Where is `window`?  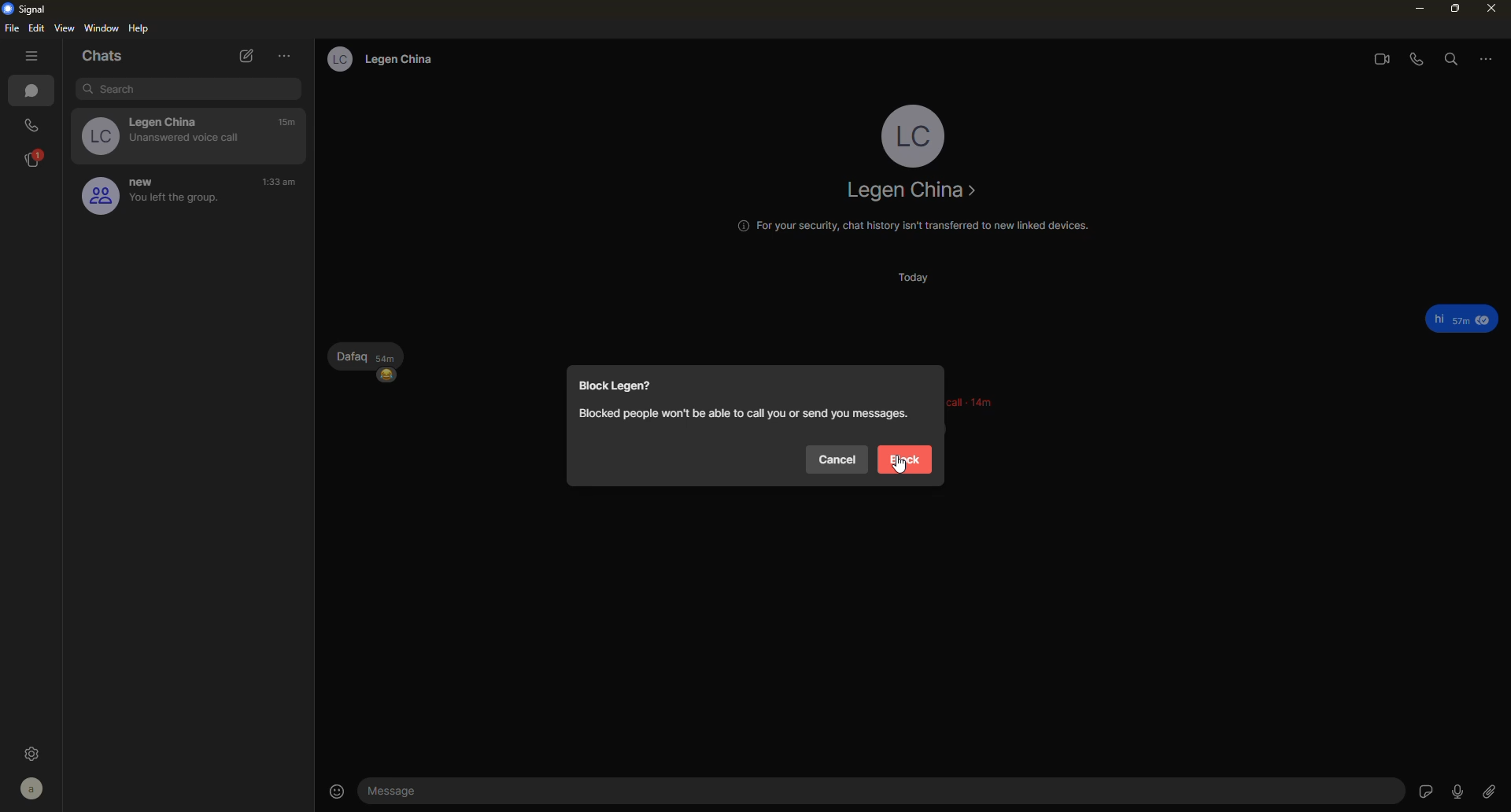 window is located at coordinates (103, 28).